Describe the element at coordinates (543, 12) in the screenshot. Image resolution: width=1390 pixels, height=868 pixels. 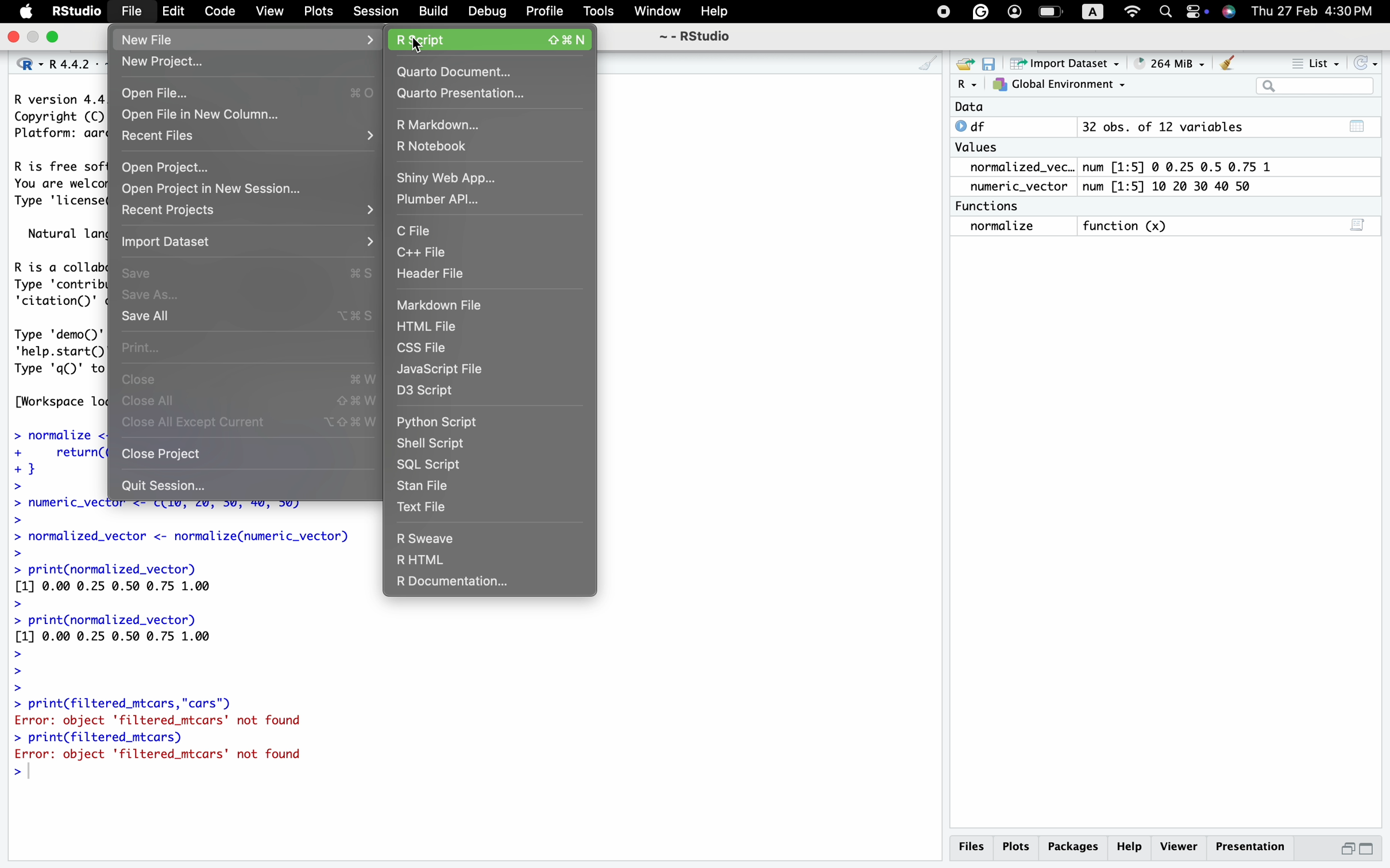
I see `profile` at that location.